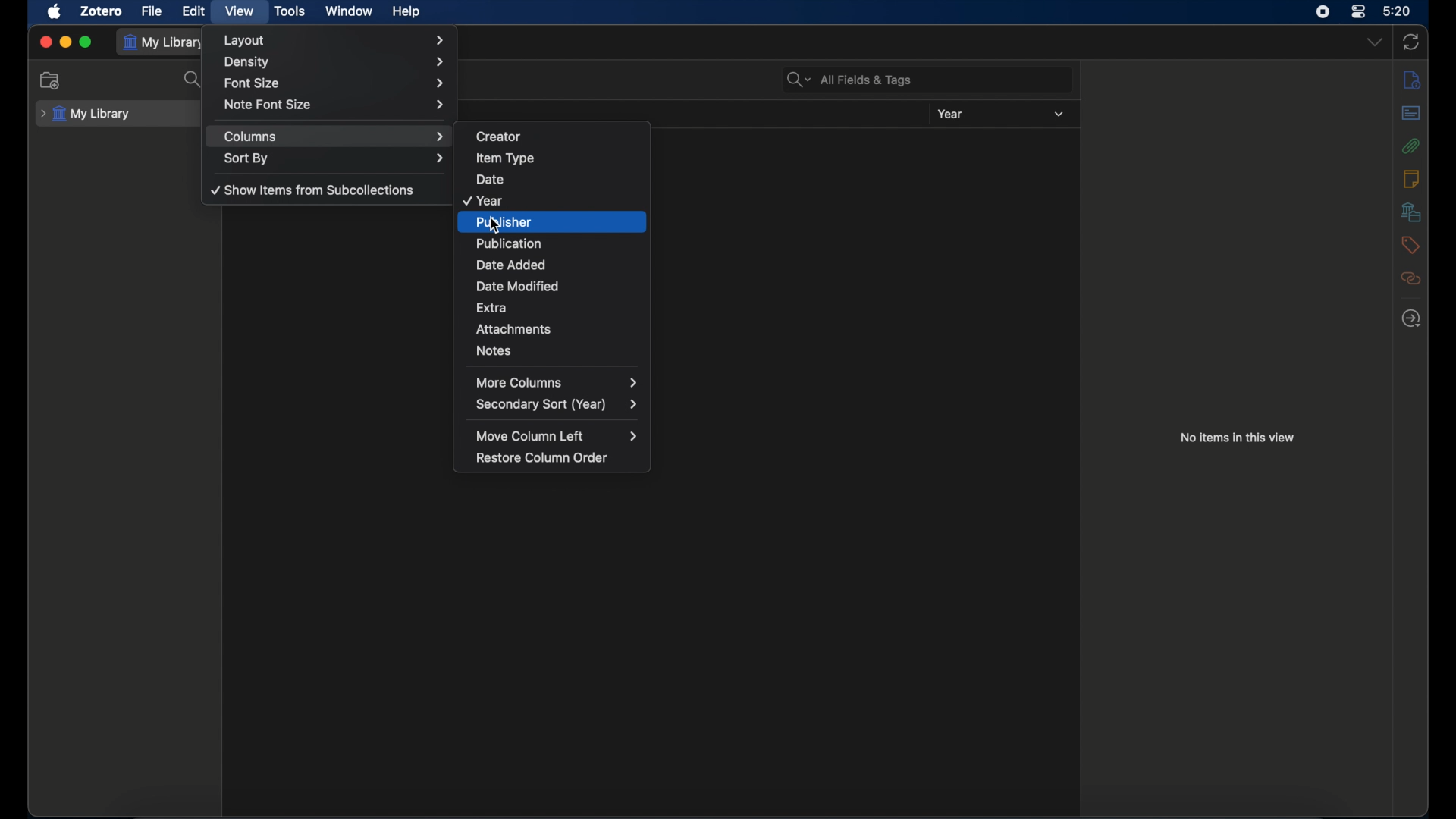 The width and height of the screenshot is (1456, 819). Describe the element at coordinates (560, 381) in the screenshot. I see `more columns` at that location.